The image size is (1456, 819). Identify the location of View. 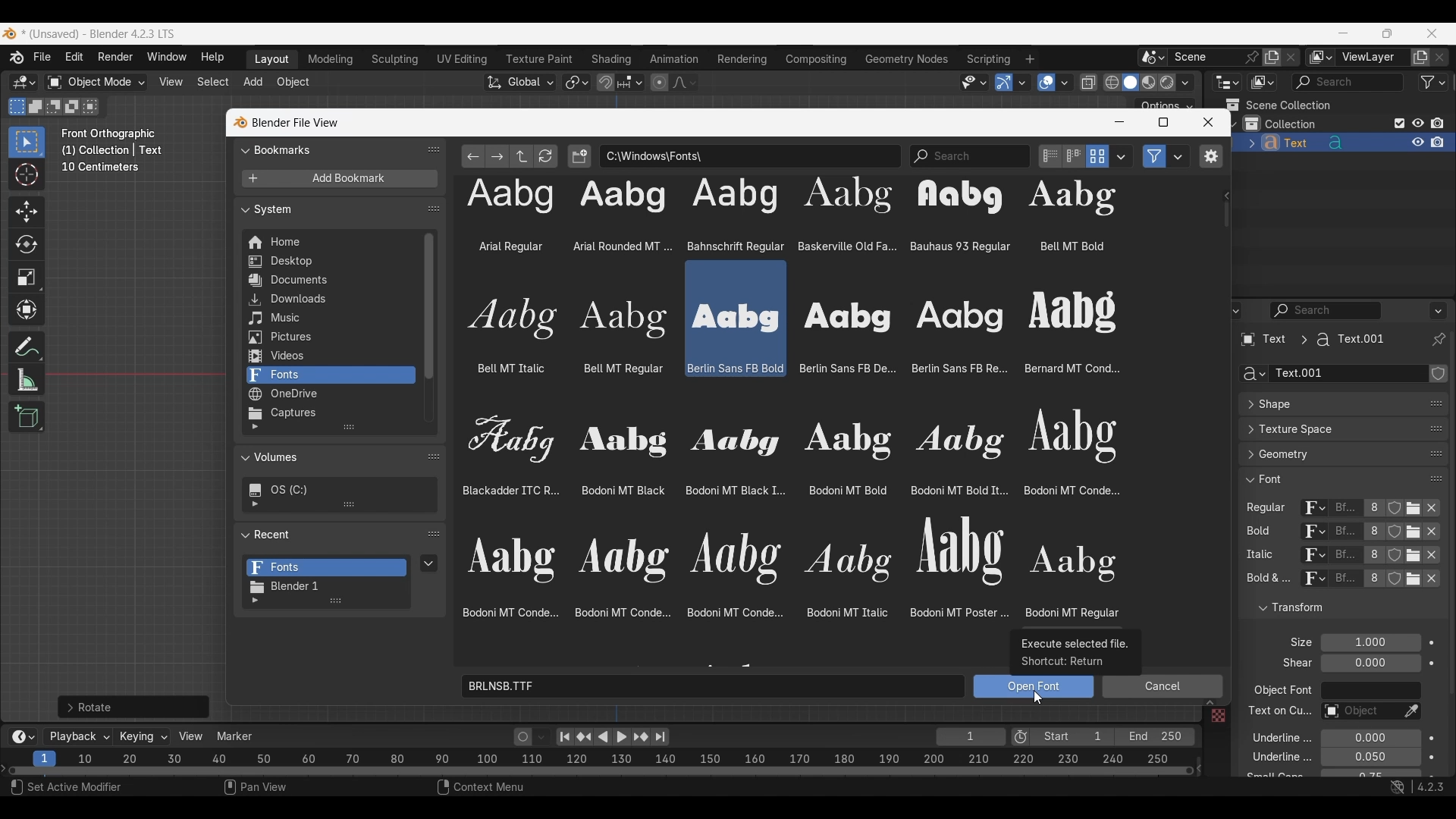
(191, 736).